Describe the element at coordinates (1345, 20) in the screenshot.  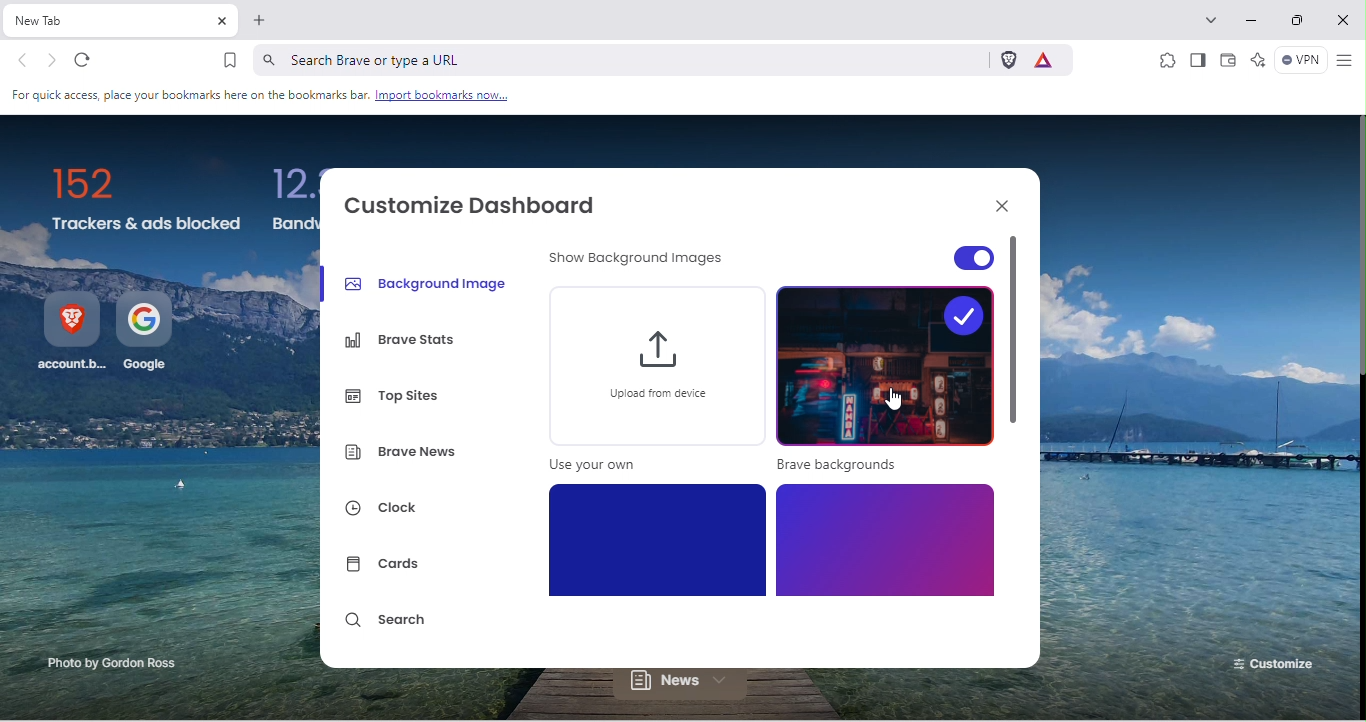
I see `Close` at that location.